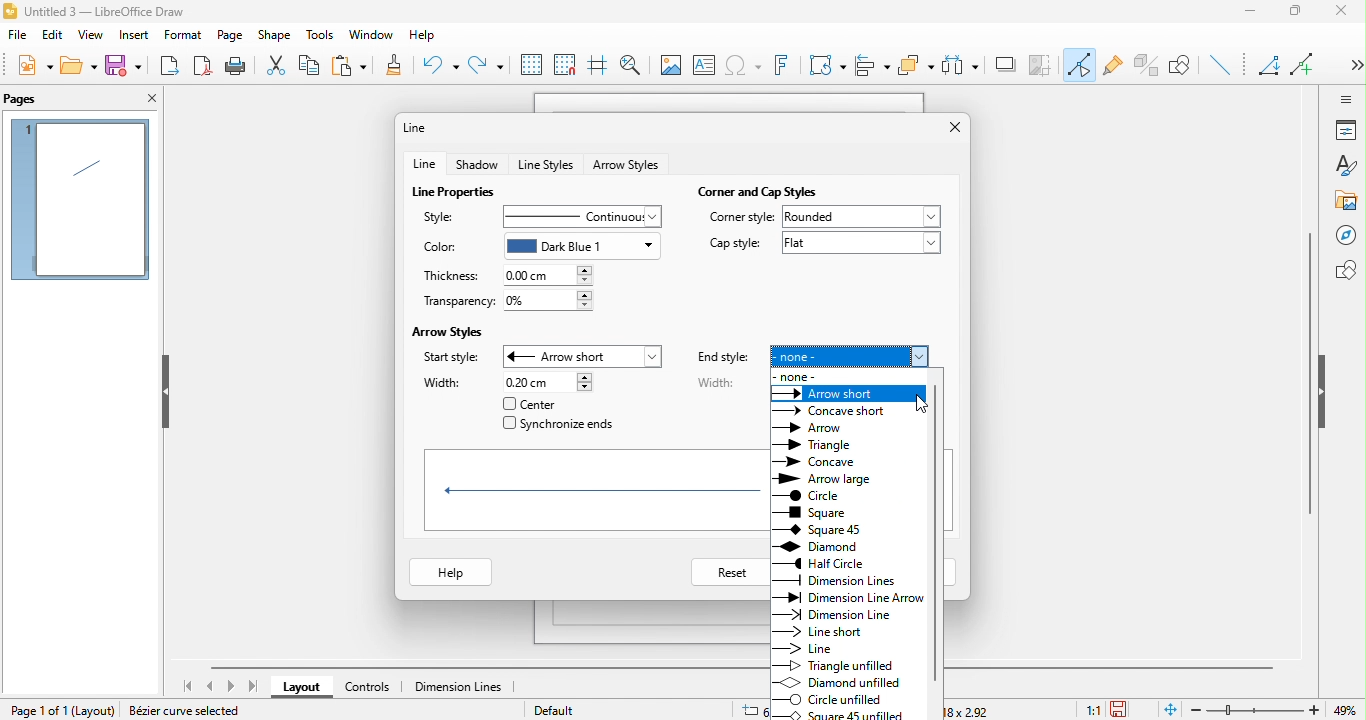 This screenshot has height=720, width=1366. I want to click on reset, so click(721, 573).